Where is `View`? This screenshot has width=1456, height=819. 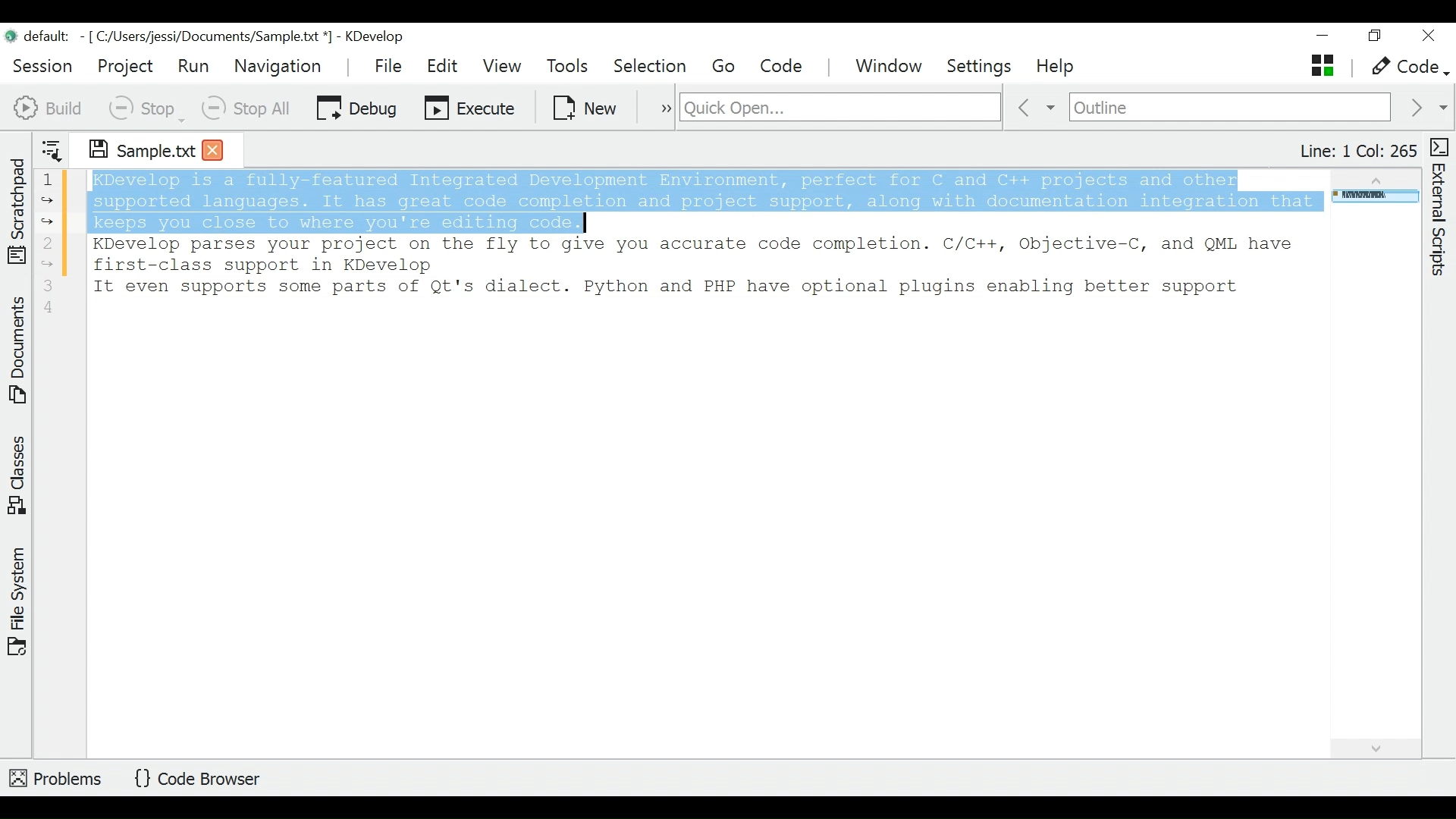 View is located at coordinates (502, 66).